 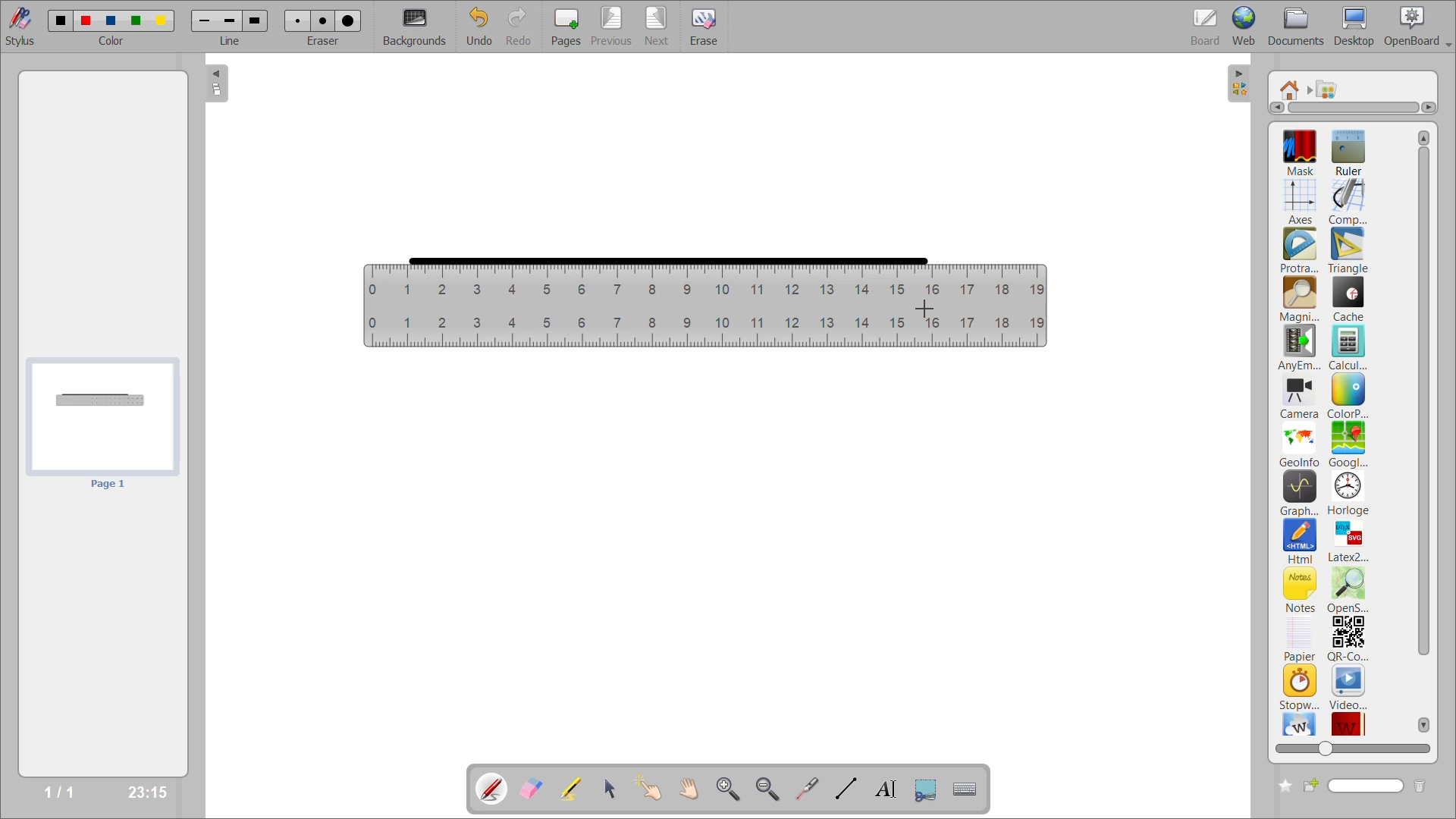 I want to click on color, so click(x=110, y=41).